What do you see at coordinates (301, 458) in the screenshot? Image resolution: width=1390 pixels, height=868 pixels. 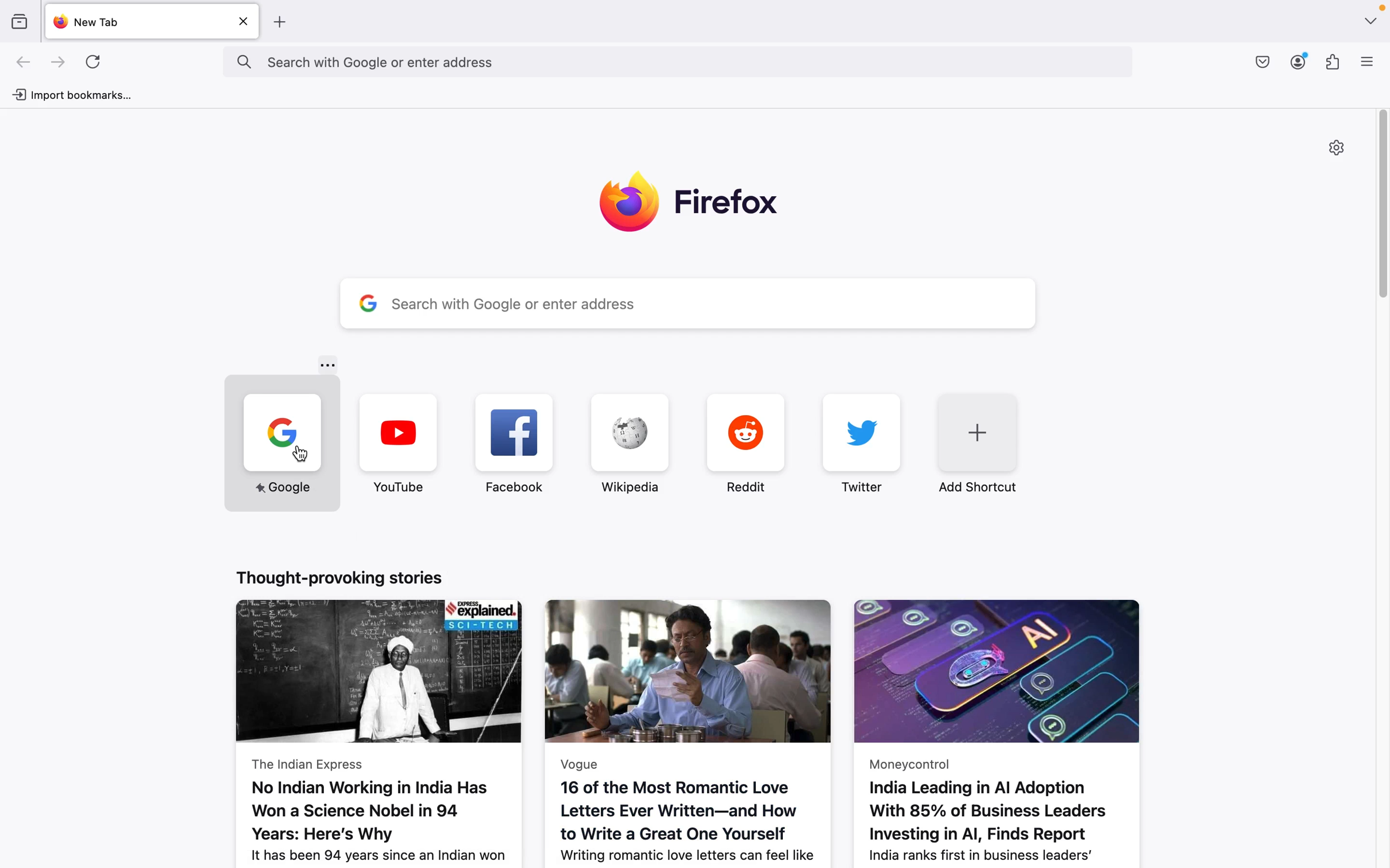 I see `cursor` at bounding box center [301, 458].